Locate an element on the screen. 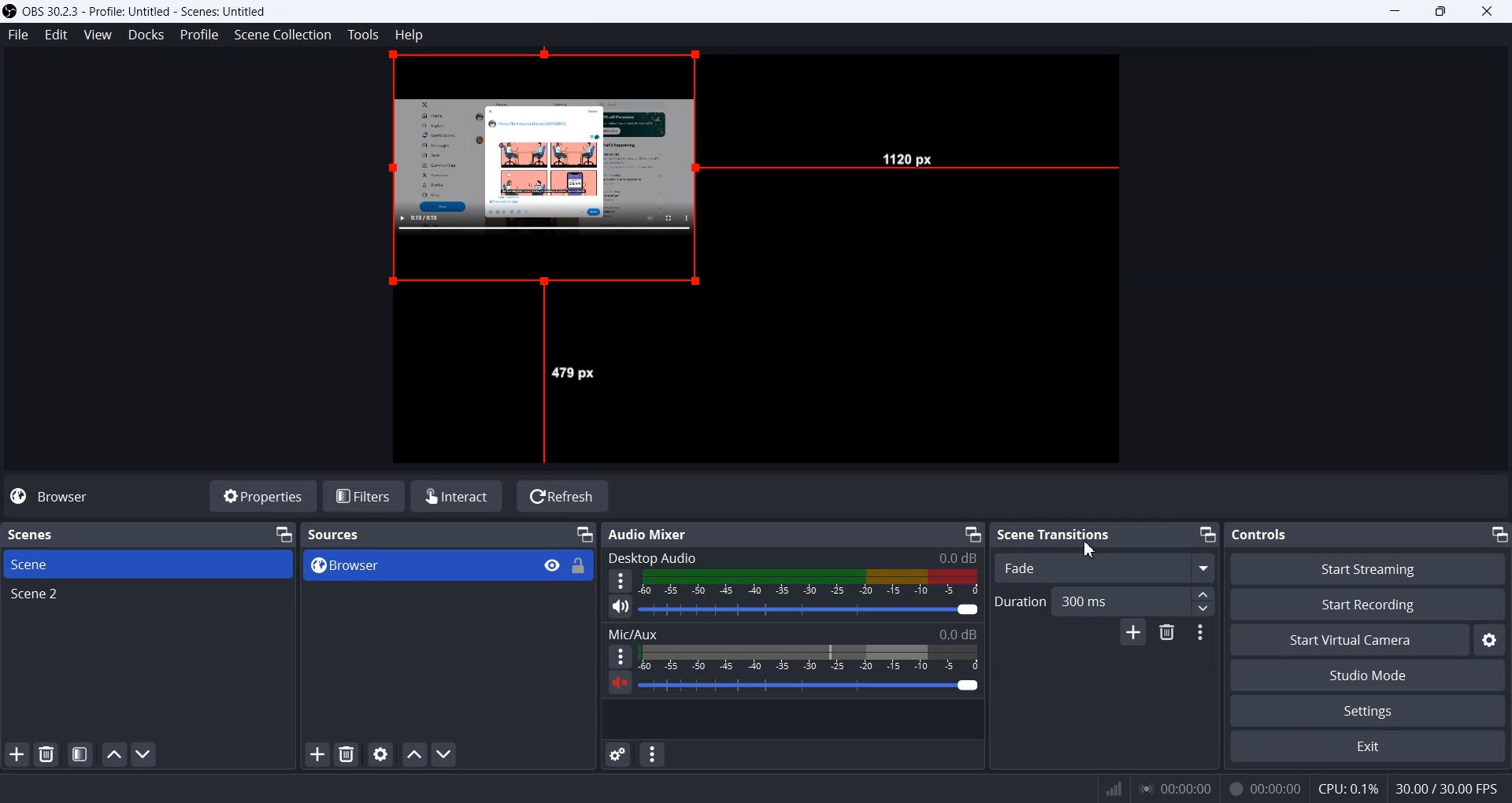 The image size is (1512, 803). View is located at coordinates (545, 564).